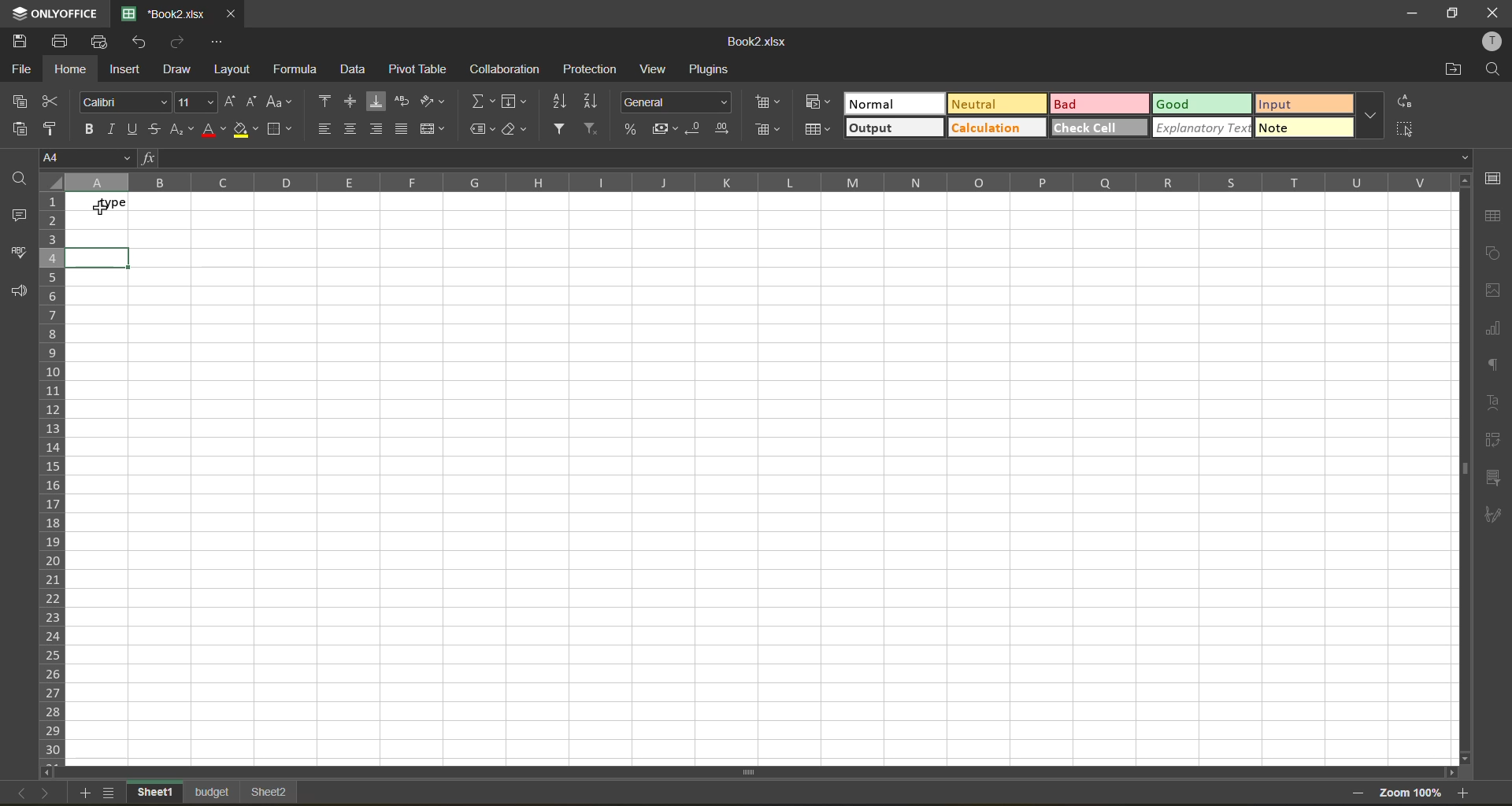 This screenshot has height=806, width=1512. I want to click on underline, so click(133, 128).